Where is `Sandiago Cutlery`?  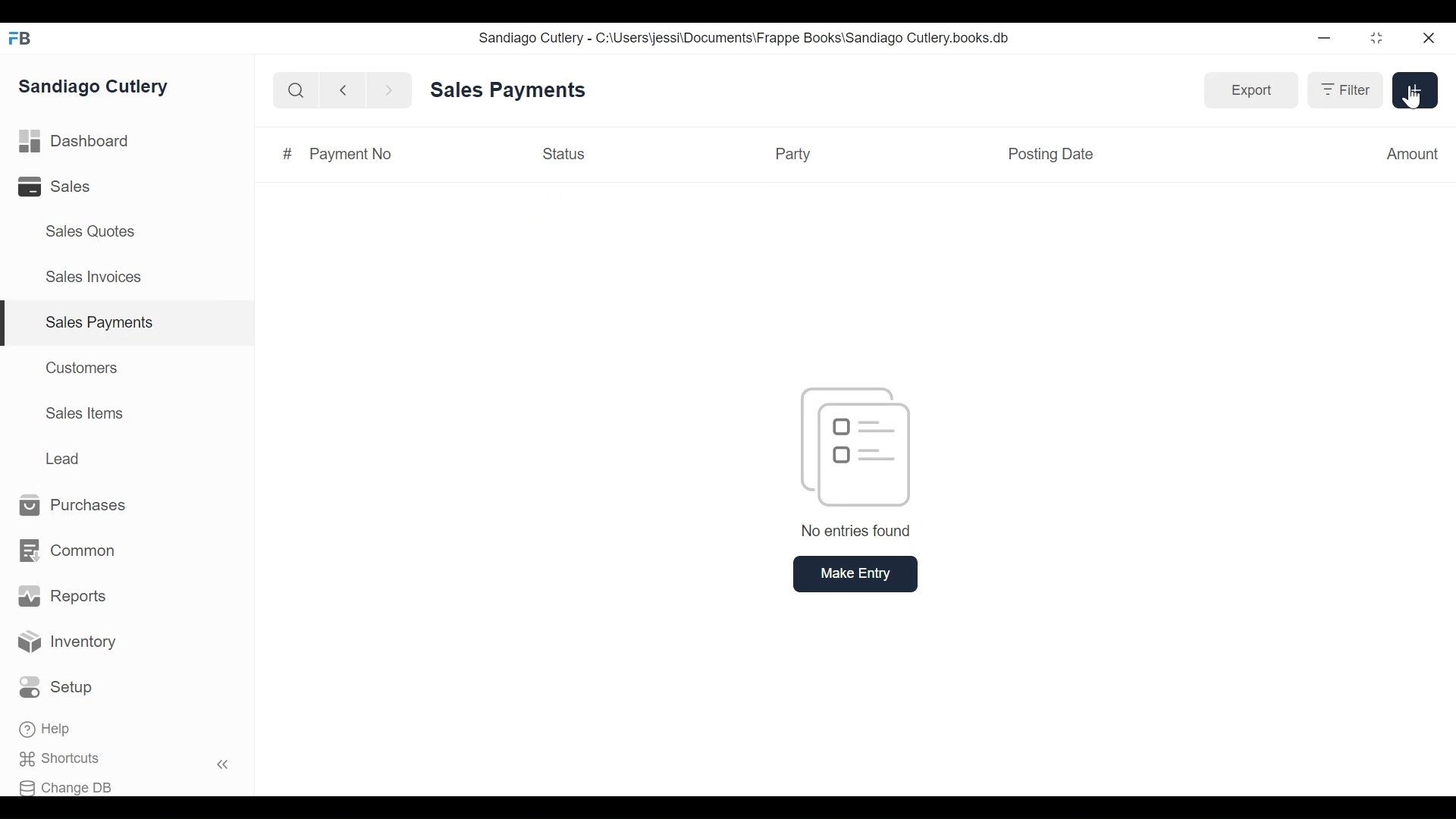 Sandiago Cutlery is located at coordinates (96, 86).